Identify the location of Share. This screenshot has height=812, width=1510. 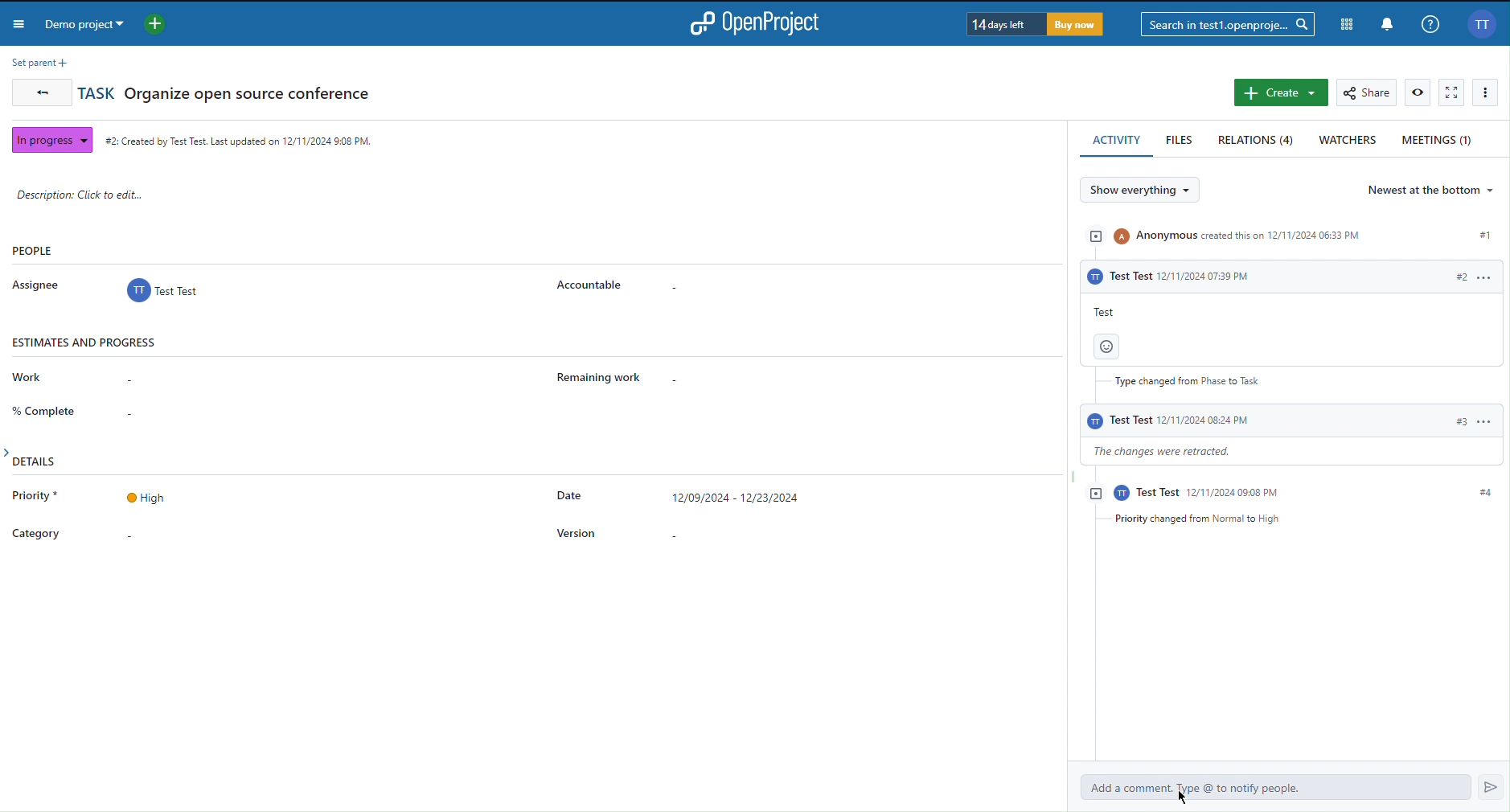
(1368, 92).